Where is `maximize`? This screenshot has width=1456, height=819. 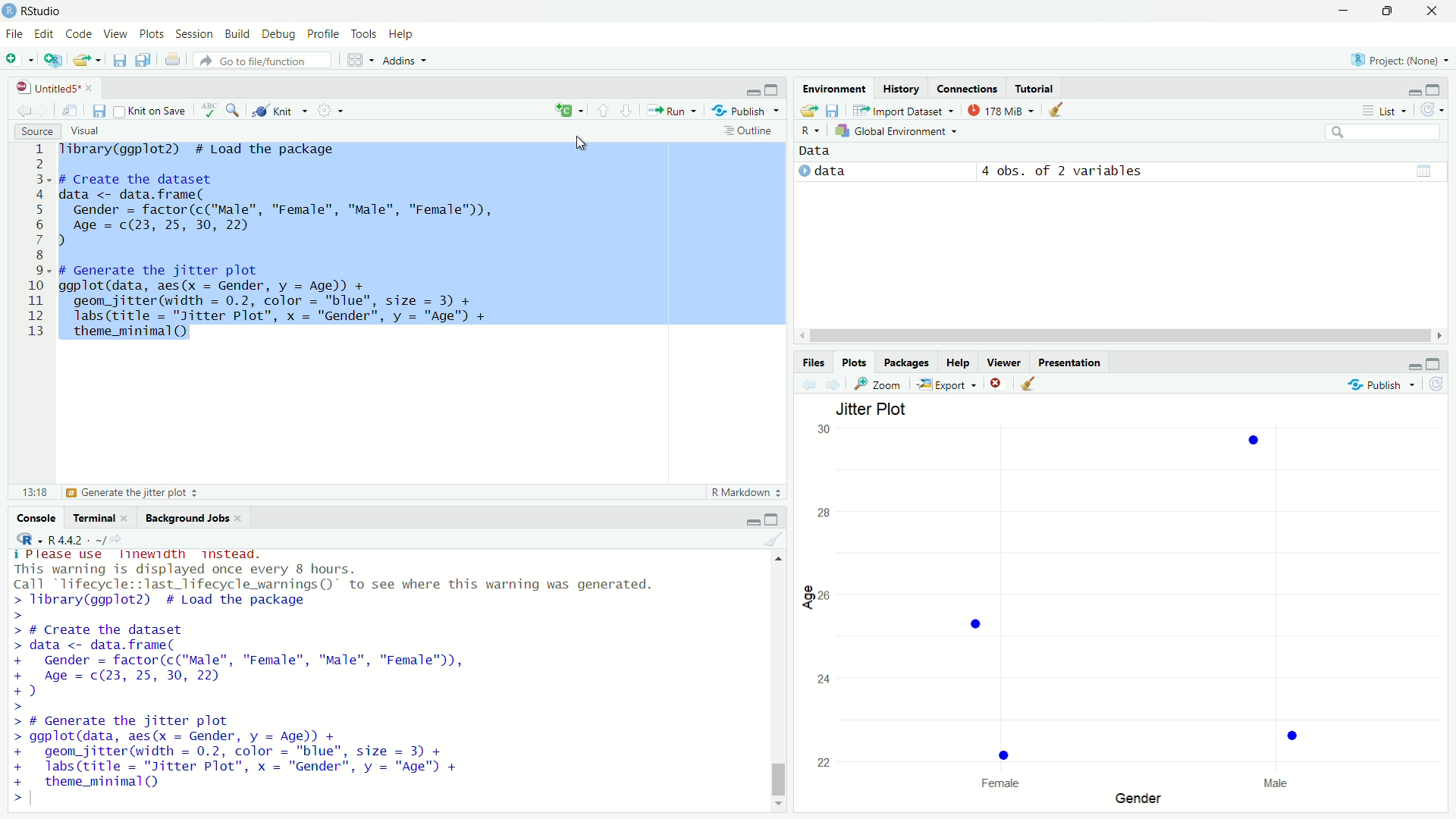
maximize is located at coordinates (776, 518).